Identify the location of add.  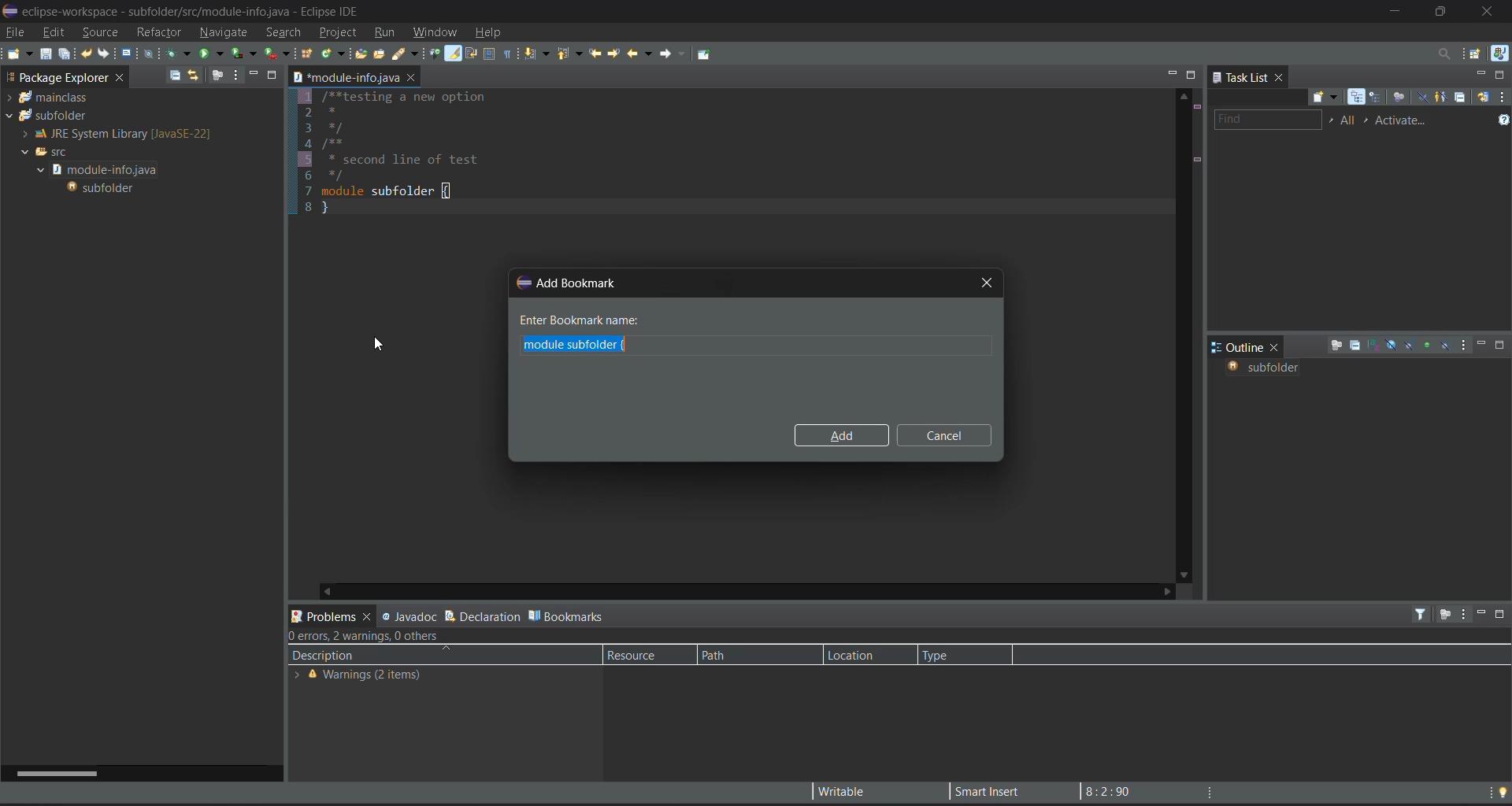
(843, 438).